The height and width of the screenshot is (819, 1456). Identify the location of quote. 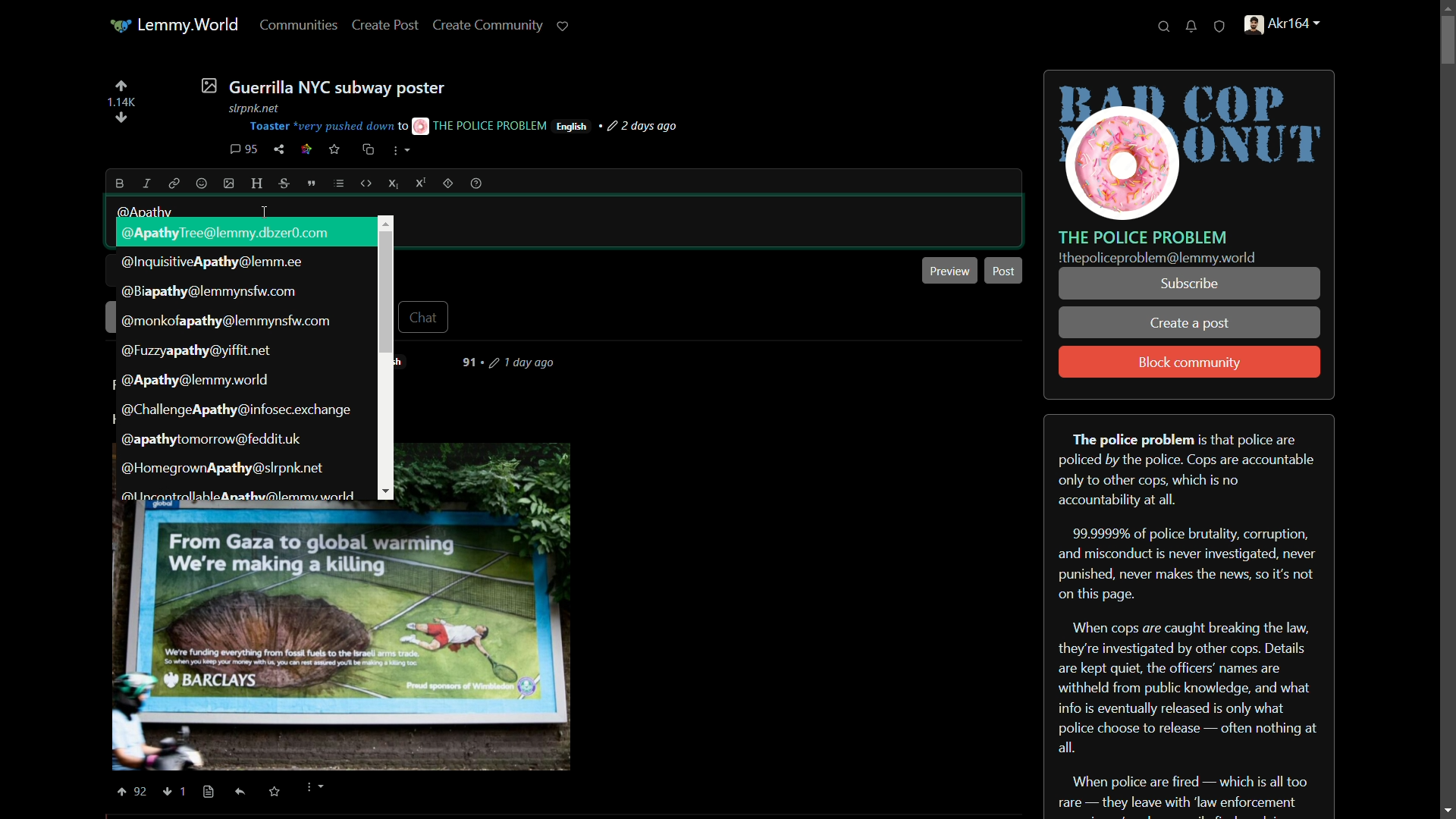
(312, 184).